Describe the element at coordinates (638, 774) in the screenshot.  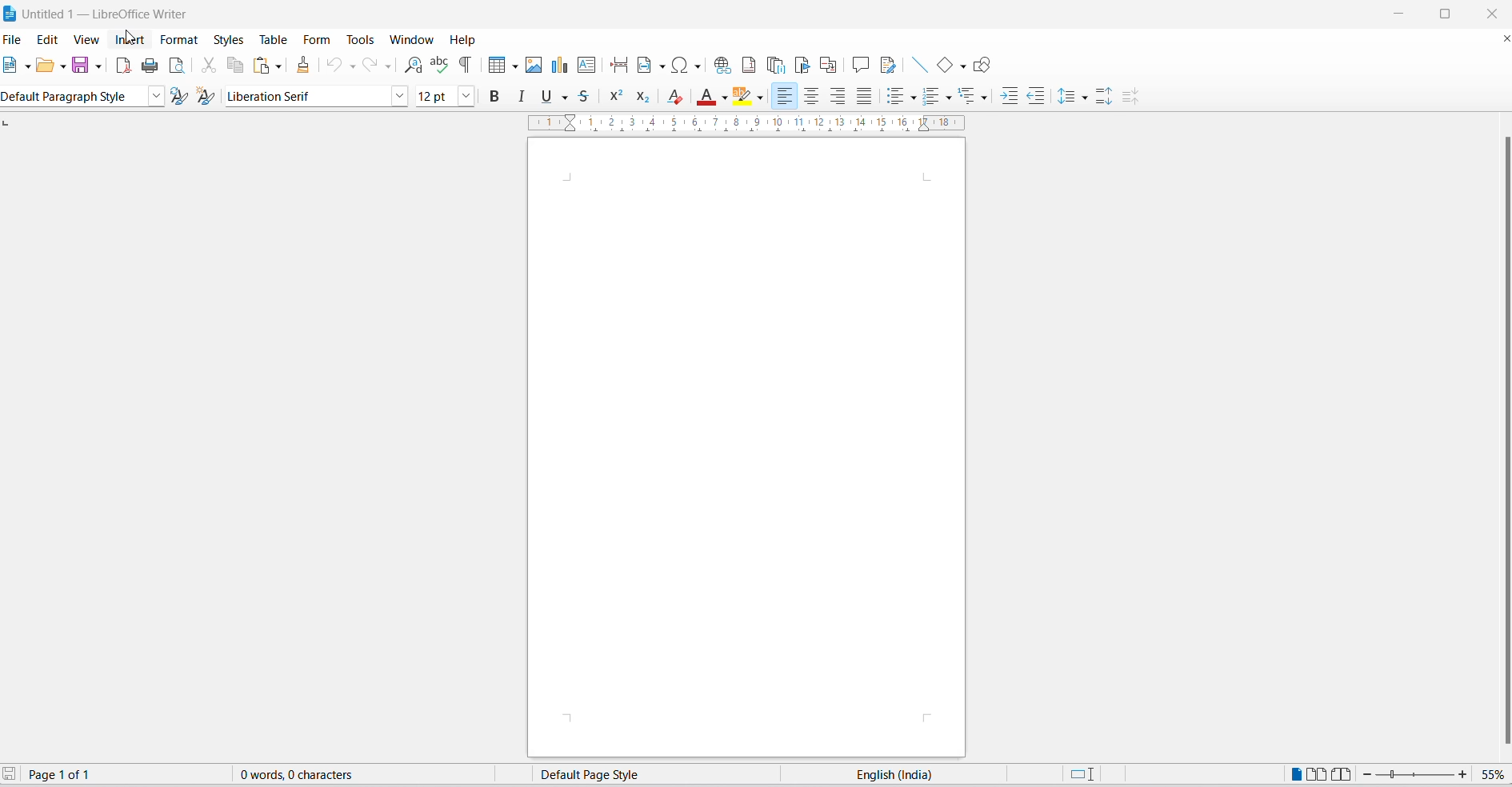
I see `page style` at that location.